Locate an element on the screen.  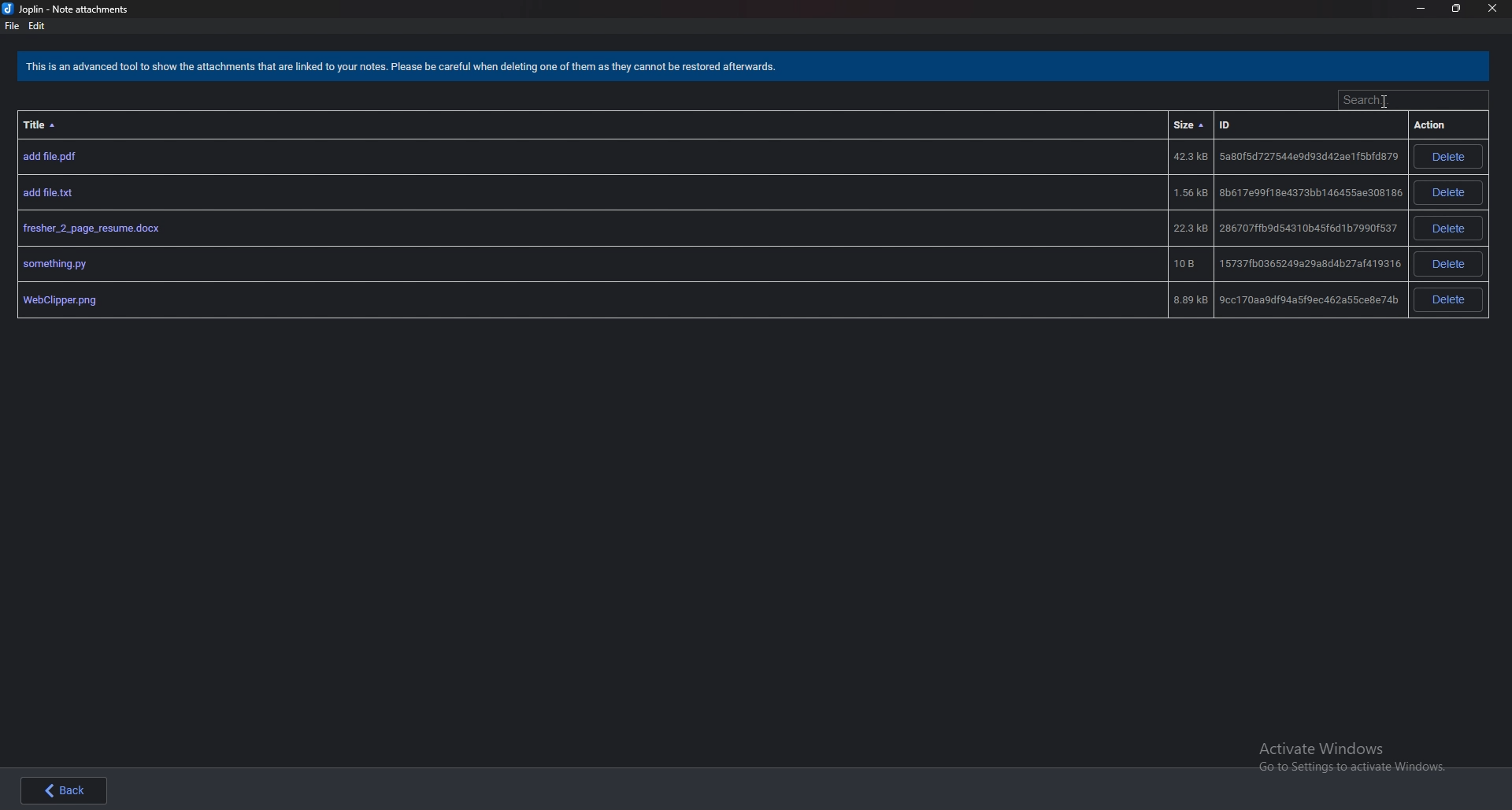
attachment is located at coordinates (709, 157).